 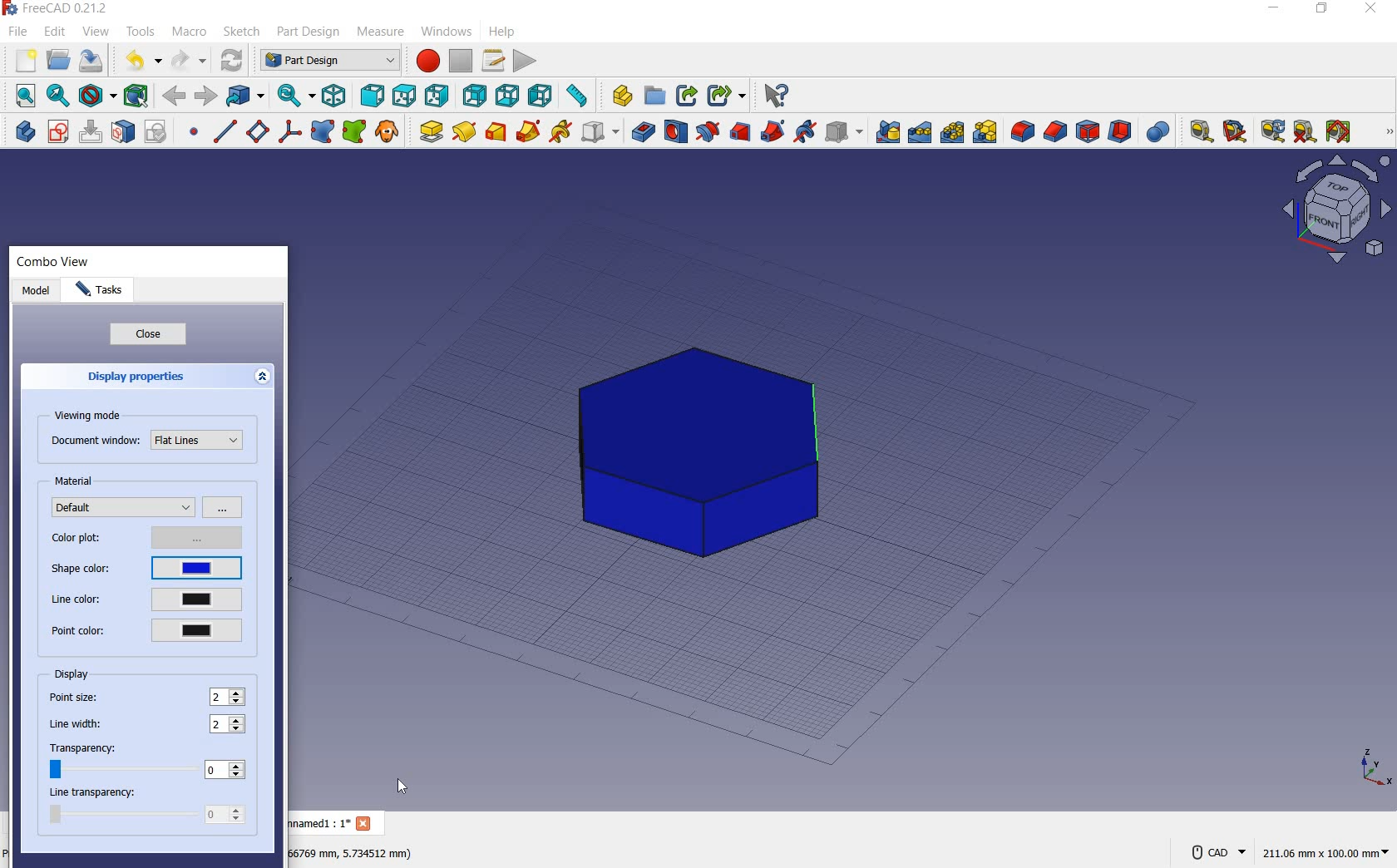 What do you see at coordinates (142, 33) in the screenshot?
I see `tools` at bounding box center [142, 33].